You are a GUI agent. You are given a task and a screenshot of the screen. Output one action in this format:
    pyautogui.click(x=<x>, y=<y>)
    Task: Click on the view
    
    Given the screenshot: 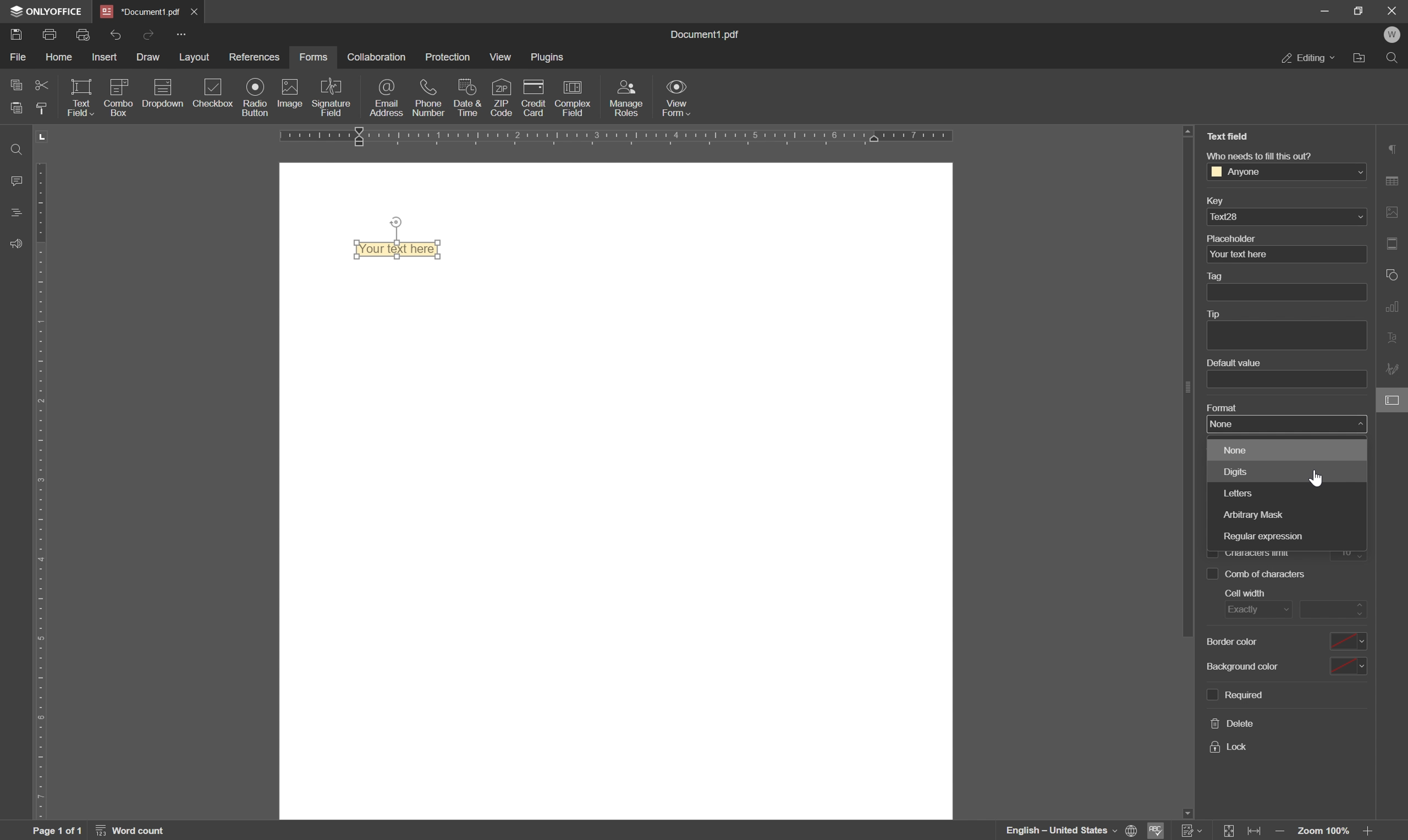 What is the action you would take?
    pyautogui.click(x=502, y=58)
    